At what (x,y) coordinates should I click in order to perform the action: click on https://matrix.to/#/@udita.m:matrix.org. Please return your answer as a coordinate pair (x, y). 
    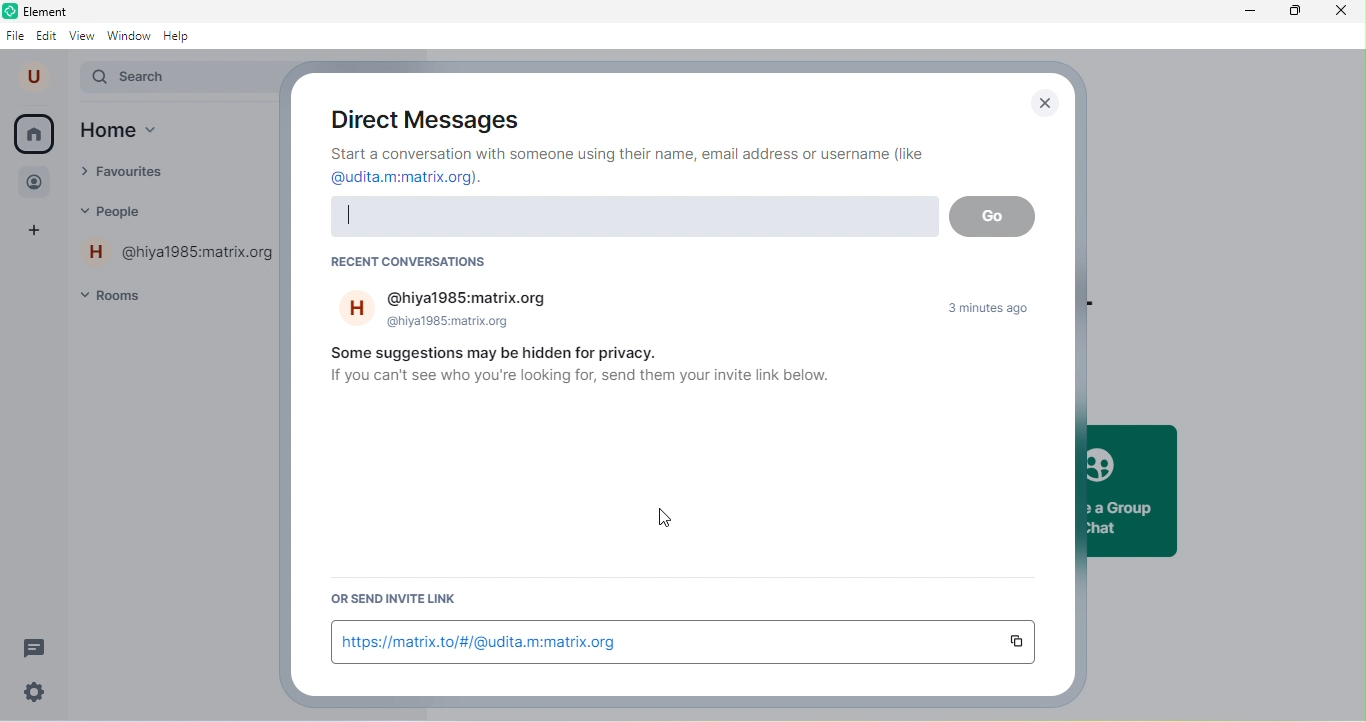
    Looking at the image, I should click on (663, 641).